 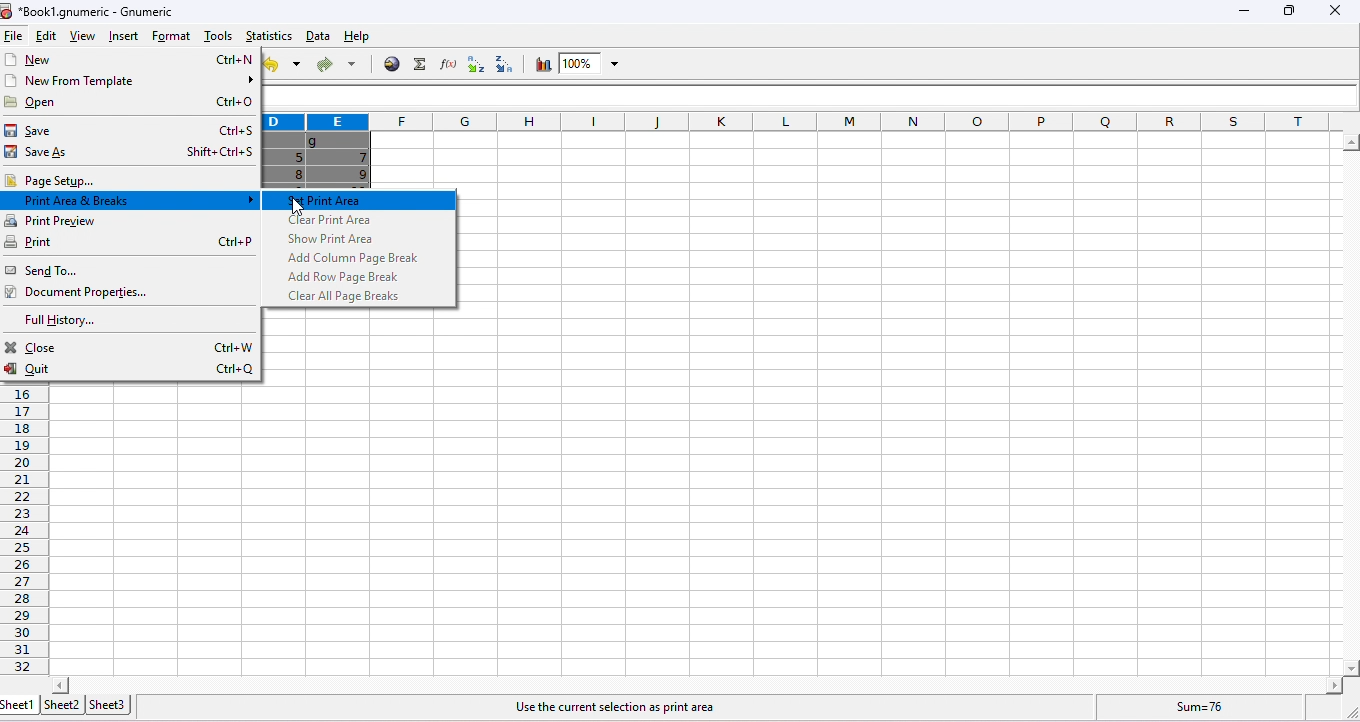 What do you see at coordinates (19, 705) in the screenshot?
I see `sheet1` at bounding box center [19, 705].